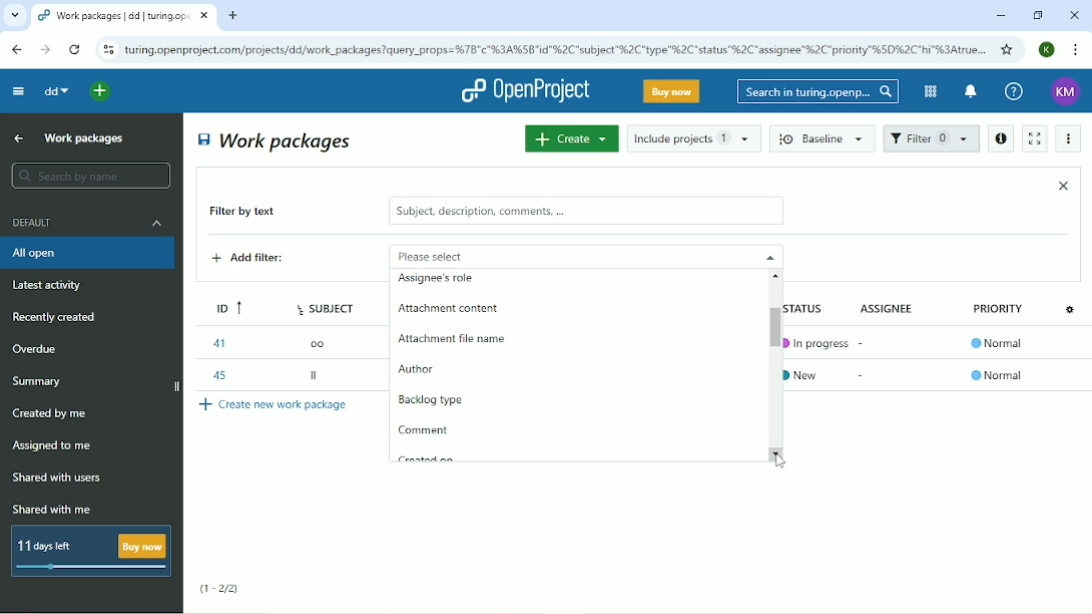 This screenshot has height=614, width=1092. I want to click on New, so click(808, 373).